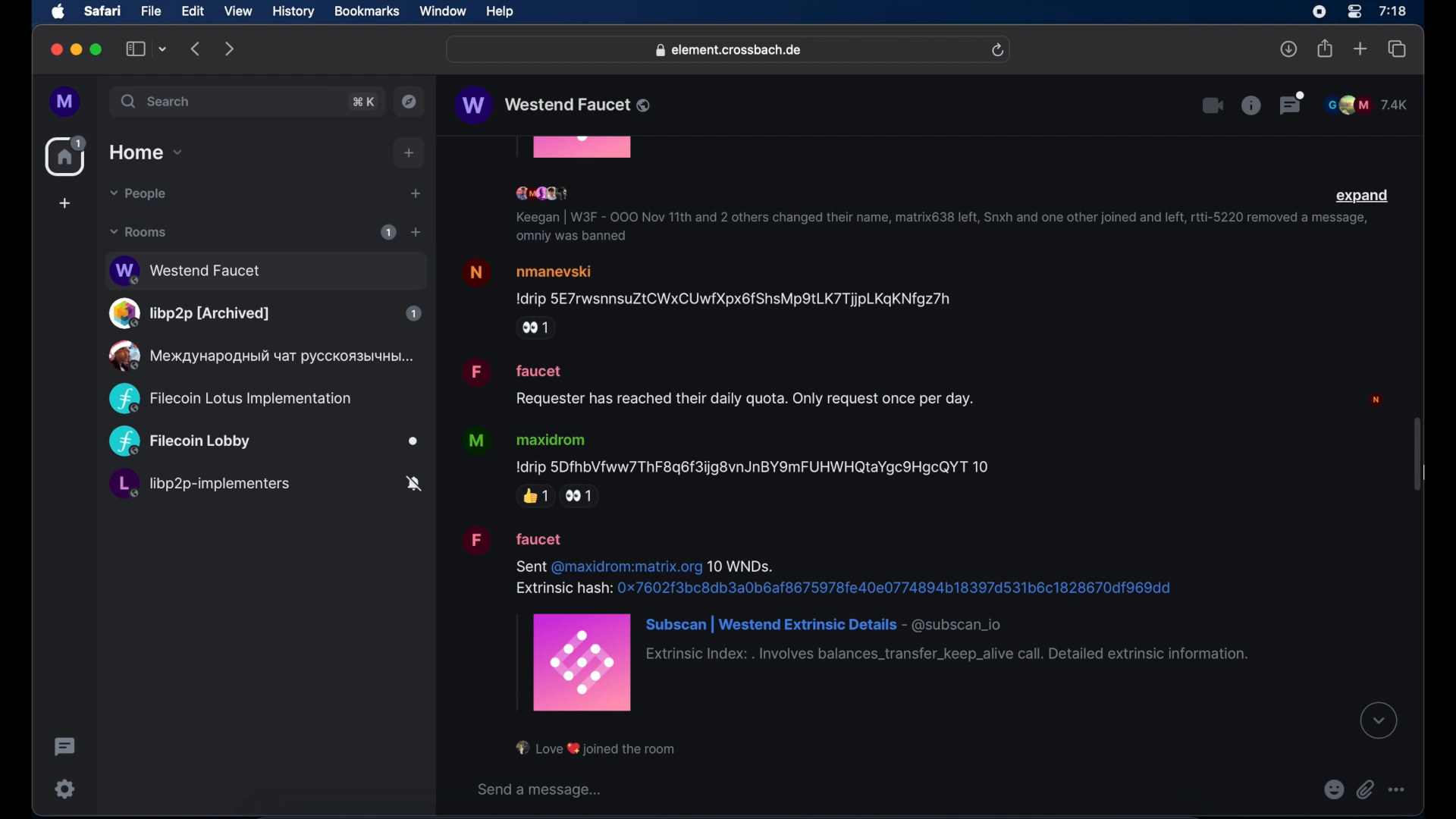 The height and width of the screenshot is (819, 1456). Describe the element at coordinates (67, 156) in the screenshot. I see `home` at that location.